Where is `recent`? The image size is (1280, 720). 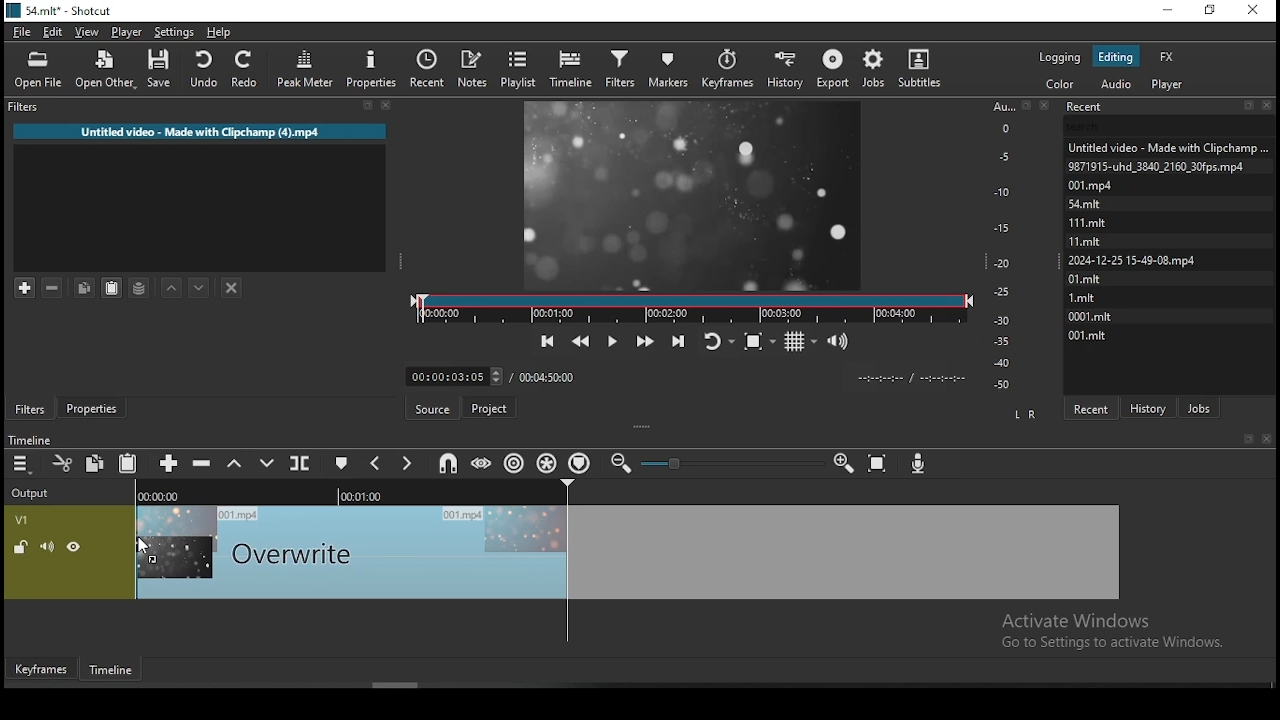 recent is located at coordinates (431, 68).